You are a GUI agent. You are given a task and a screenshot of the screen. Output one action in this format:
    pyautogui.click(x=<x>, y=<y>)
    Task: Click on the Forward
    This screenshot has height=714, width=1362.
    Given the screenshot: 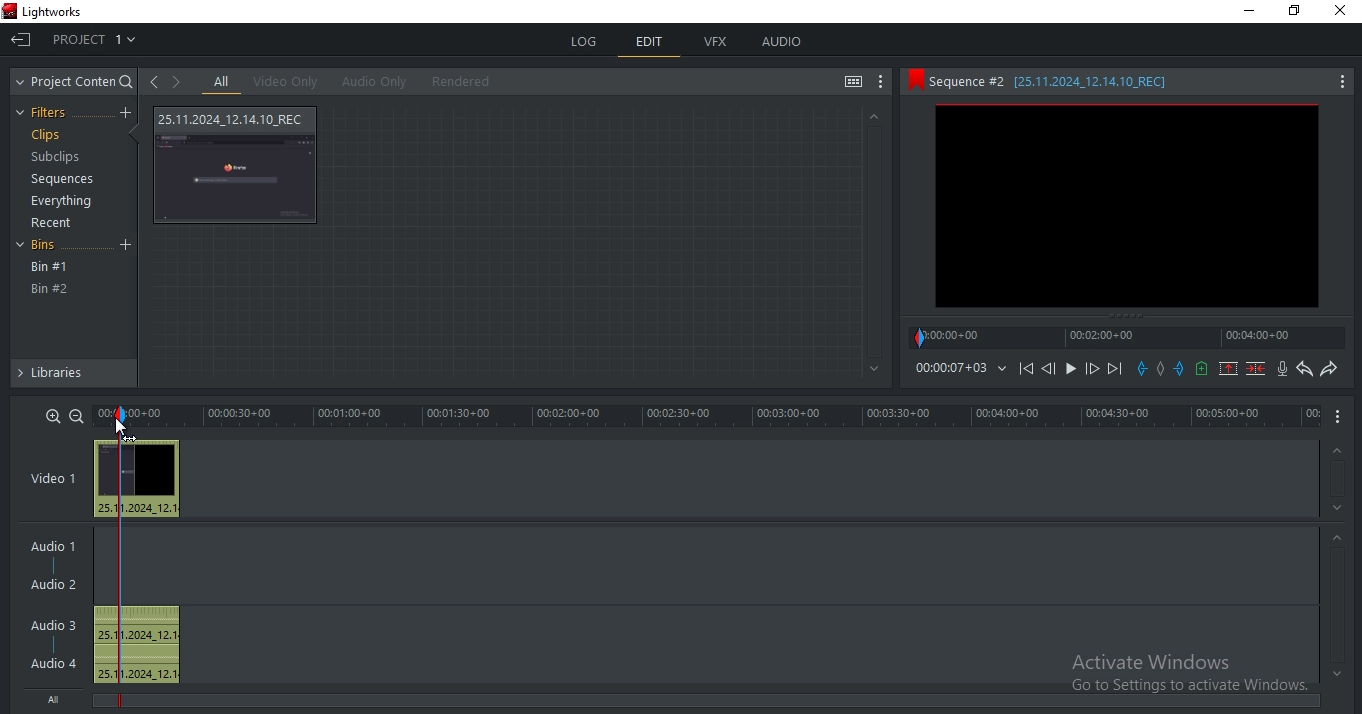 What is the action you would take?
    pyautogui.click(x=1093, y=369)
    